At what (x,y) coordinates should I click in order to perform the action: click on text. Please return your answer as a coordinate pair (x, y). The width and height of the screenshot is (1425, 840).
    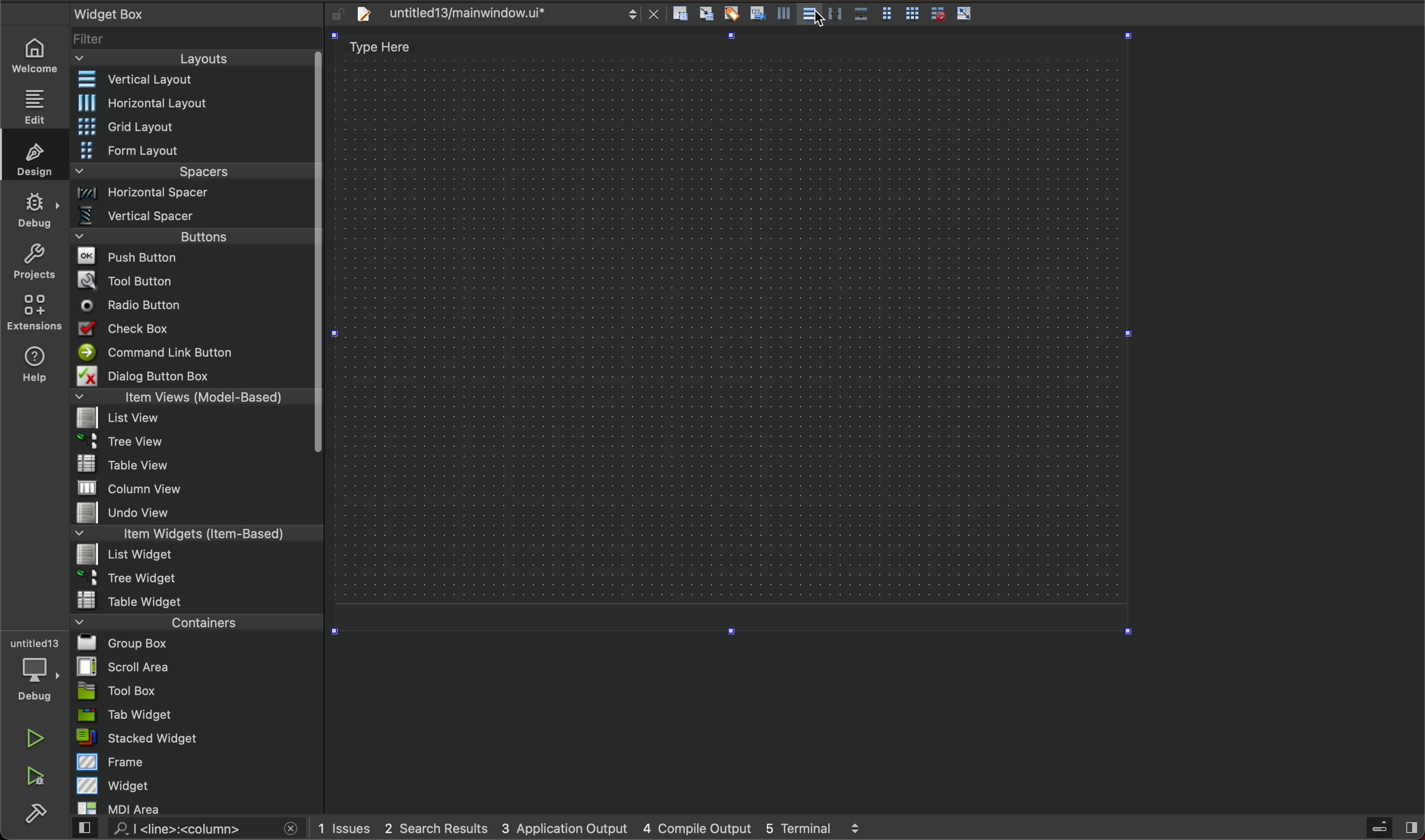
    Looking at the image, I should click on (106, 12).